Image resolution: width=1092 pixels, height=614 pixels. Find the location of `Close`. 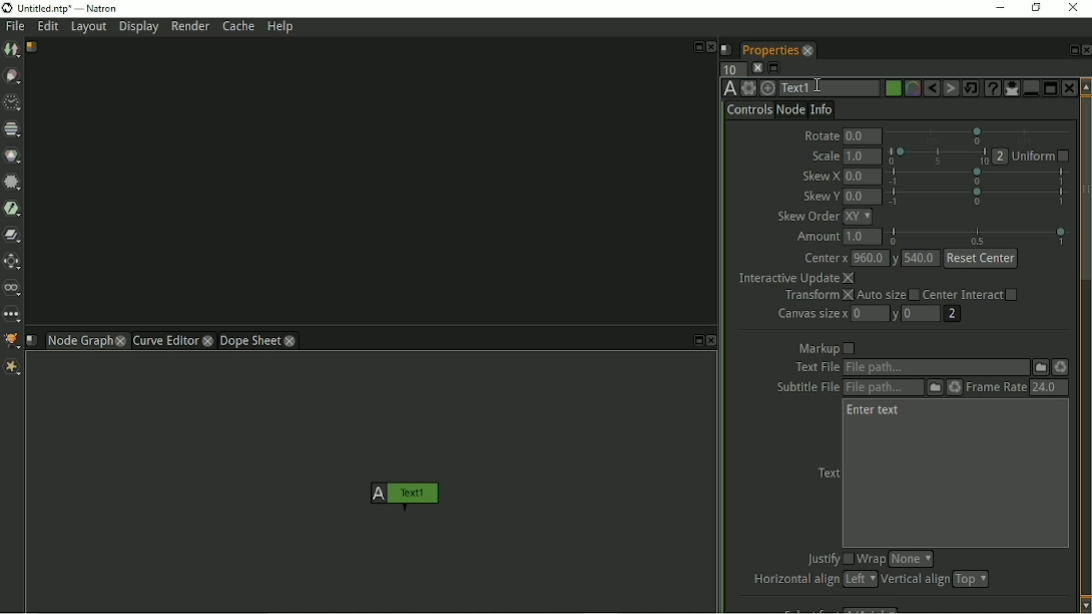

Close is located at coordinates (712, 341).